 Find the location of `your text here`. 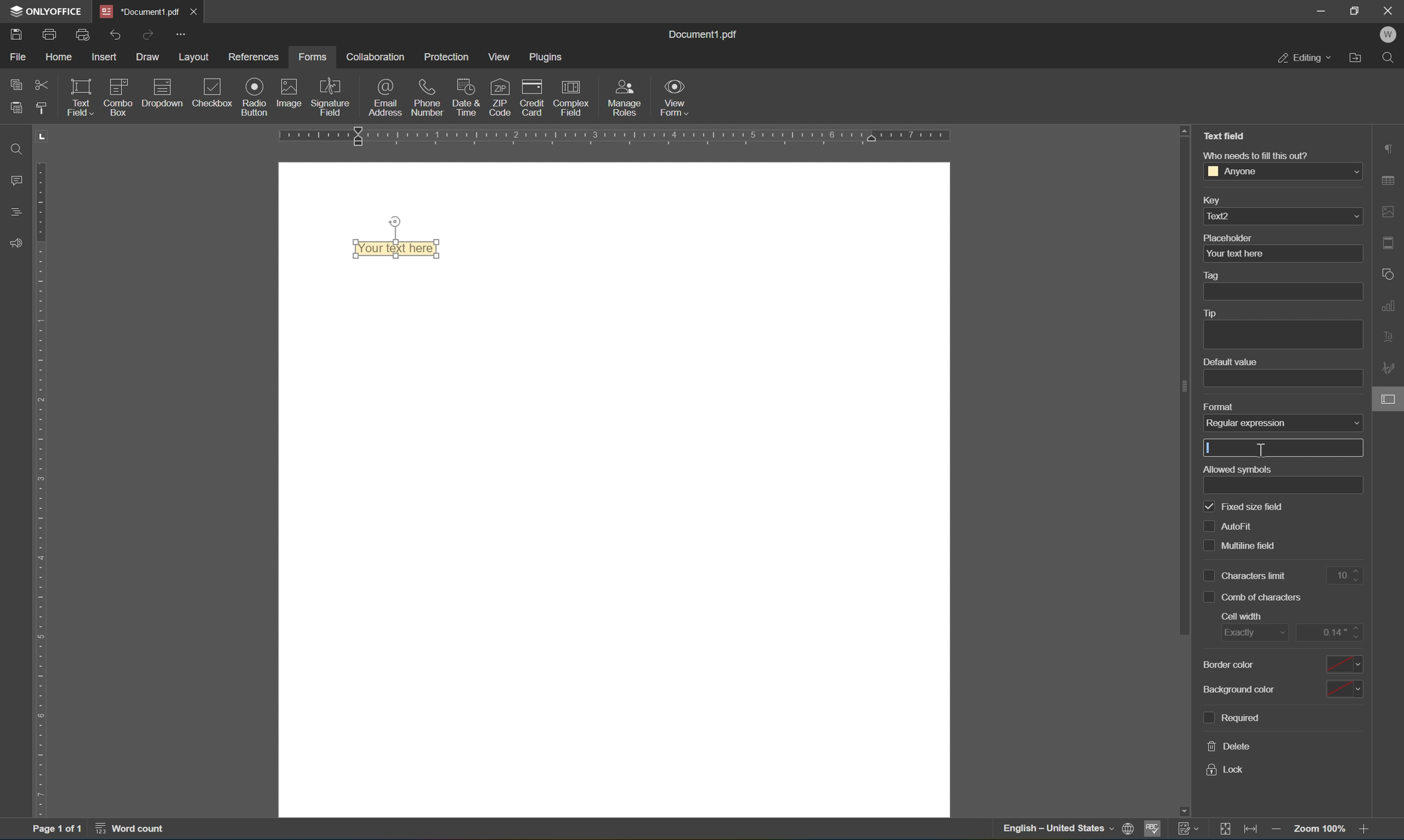

your text here is located at coordinates (1235, 254).